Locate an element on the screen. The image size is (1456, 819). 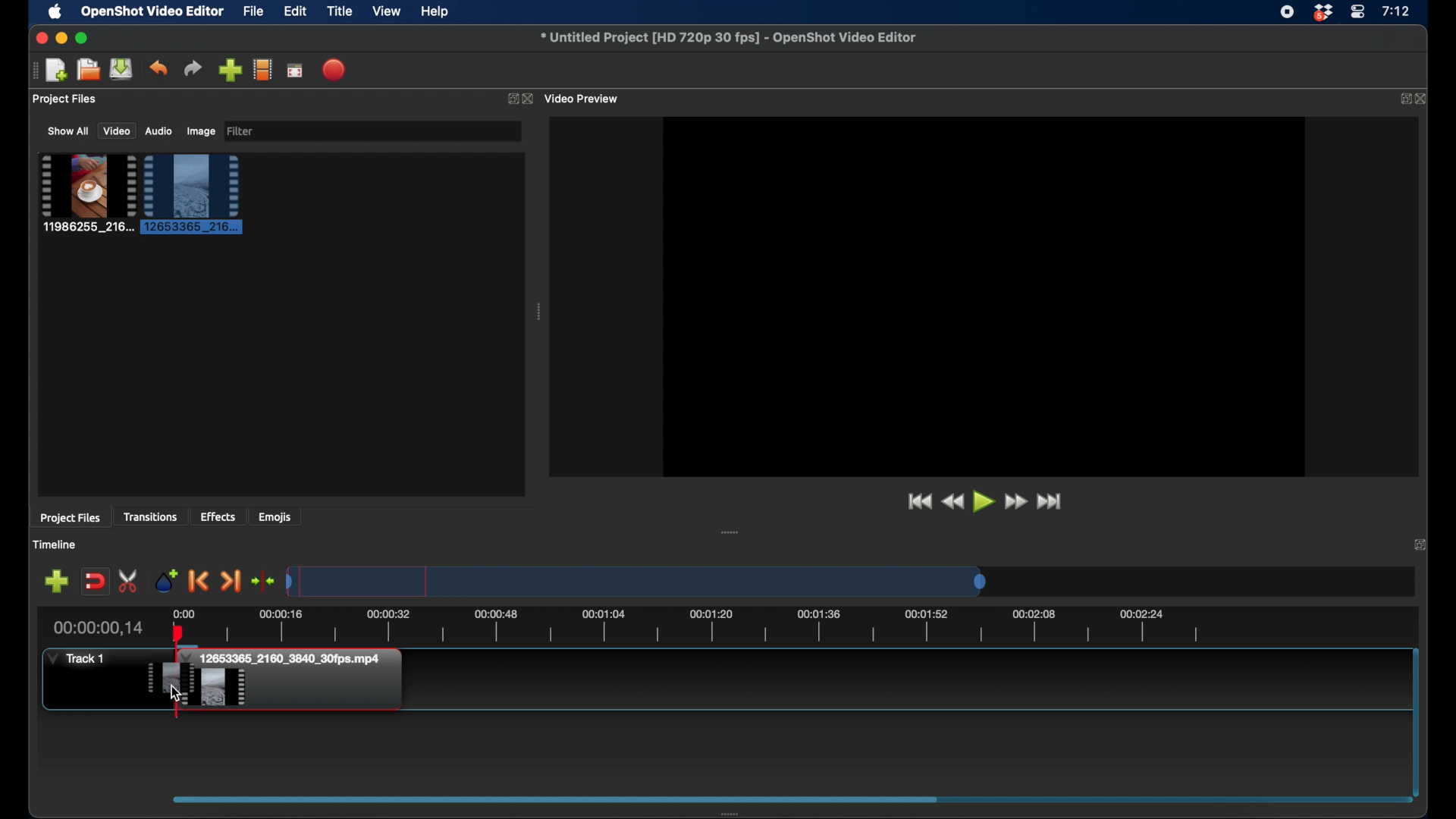
title is located at coordinates (340, 11).